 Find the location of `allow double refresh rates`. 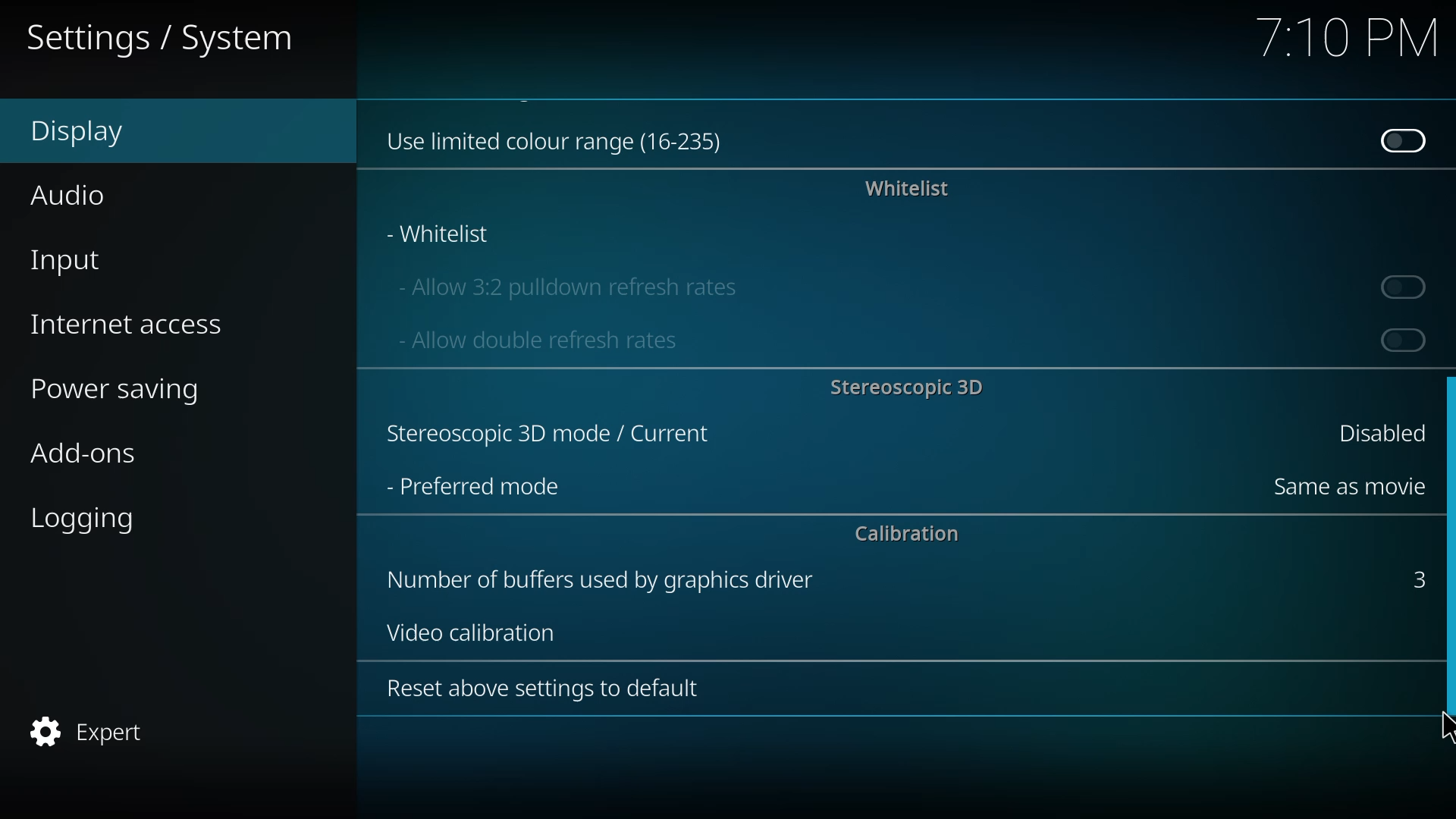

allow double refresh rates is located at coordinates (535, 339).